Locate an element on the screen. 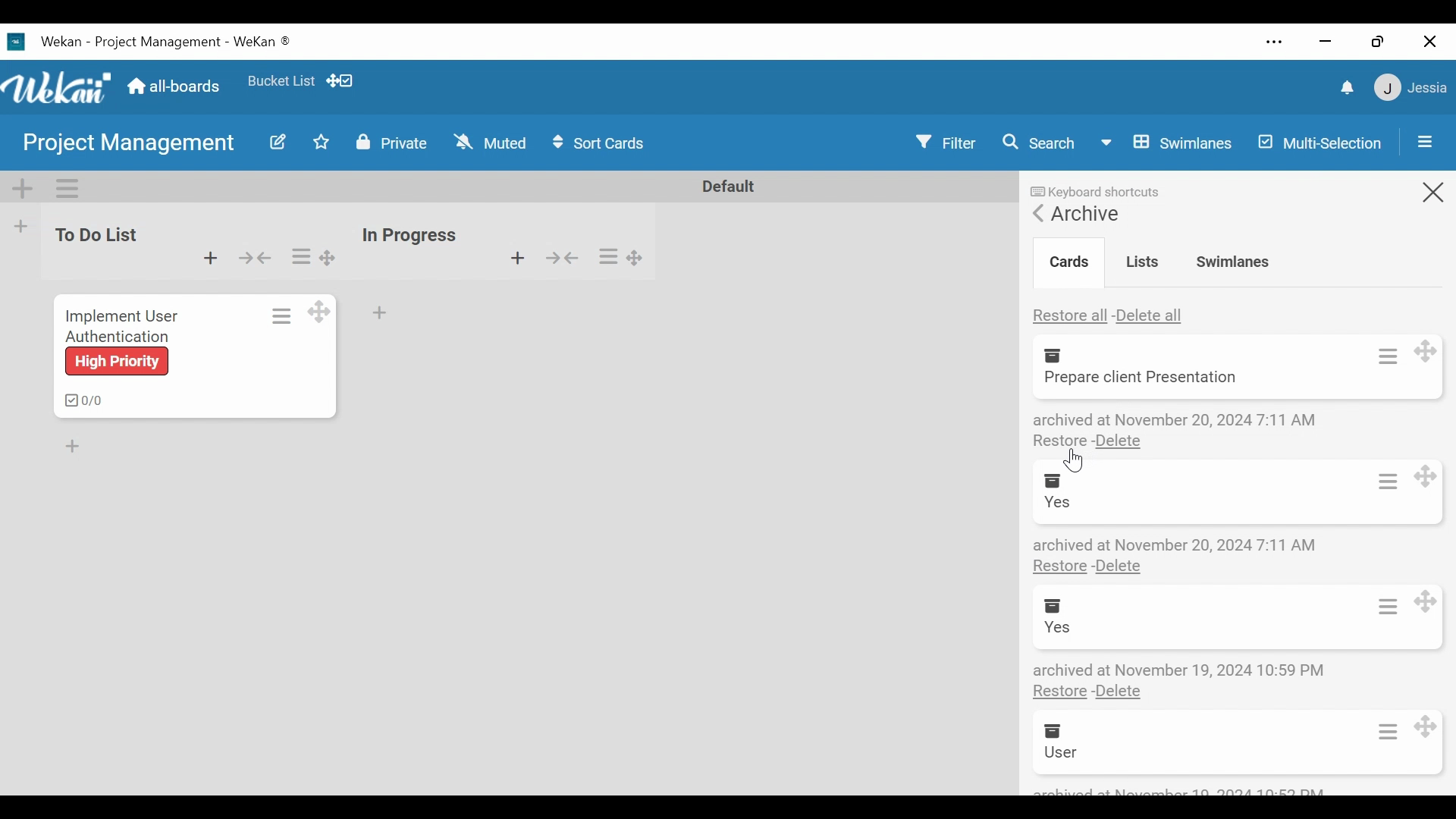 This screenshot has height=819, width=1456. Drag handles is located at coordinates (330, 257).